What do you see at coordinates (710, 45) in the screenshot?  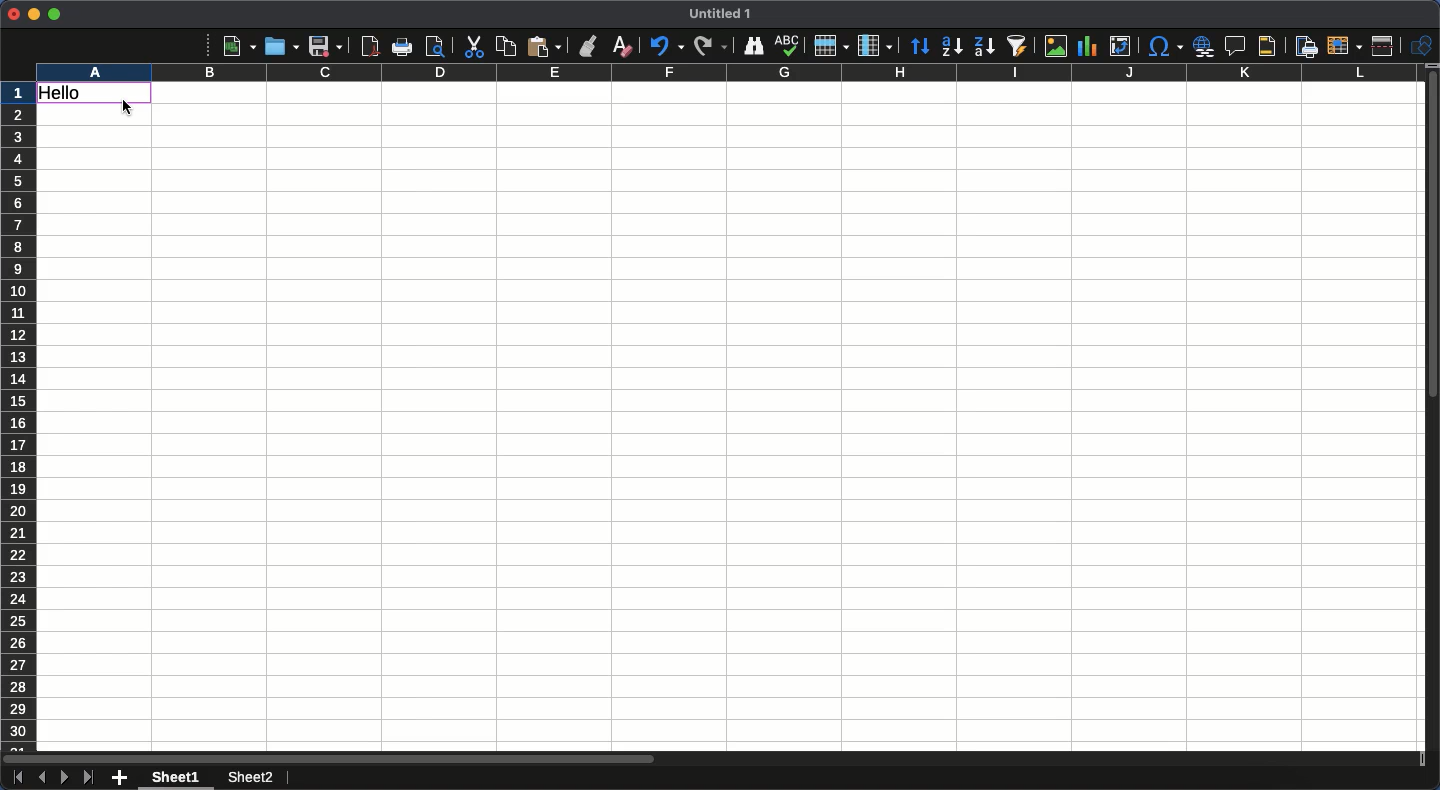 I see `Redo` at bounding box center [710, 45].